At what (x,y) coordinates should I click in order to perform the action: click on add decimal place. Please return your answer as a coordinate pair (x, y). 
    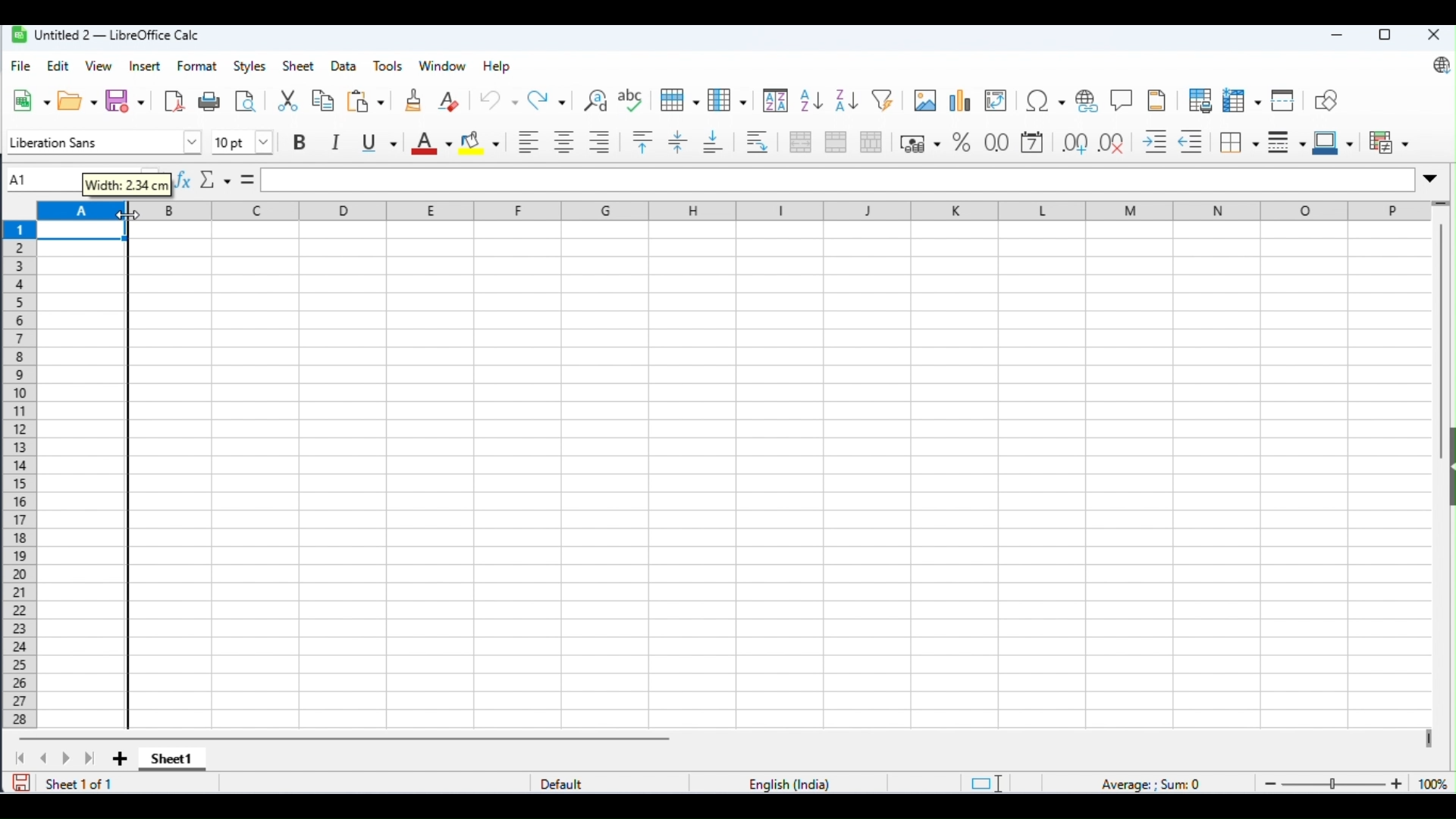
    Looking at the image, I should click on (1074, 142).